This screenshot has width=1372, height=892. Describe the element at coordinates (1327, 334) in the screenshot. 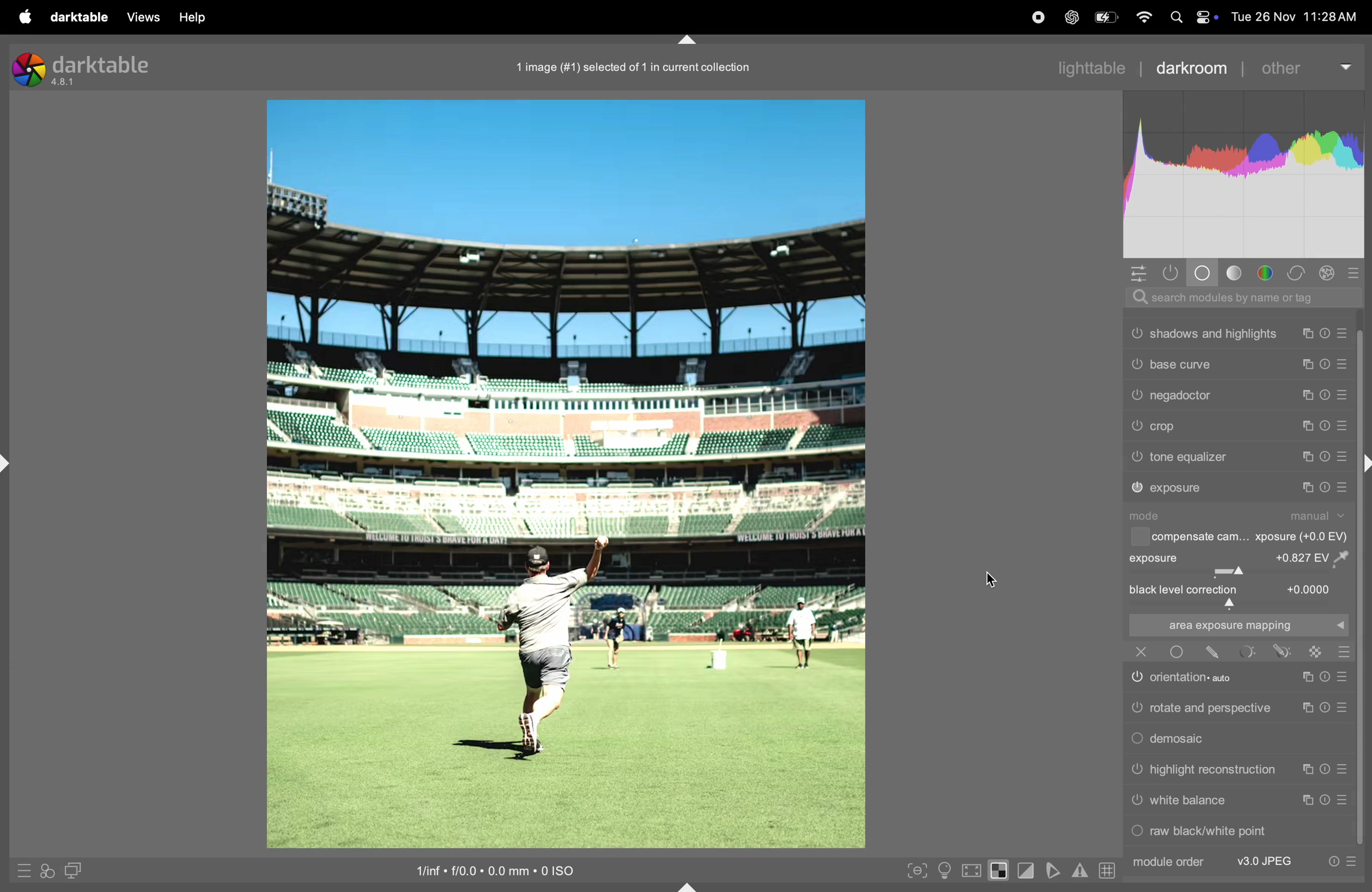

I see `reset presets` at that location.